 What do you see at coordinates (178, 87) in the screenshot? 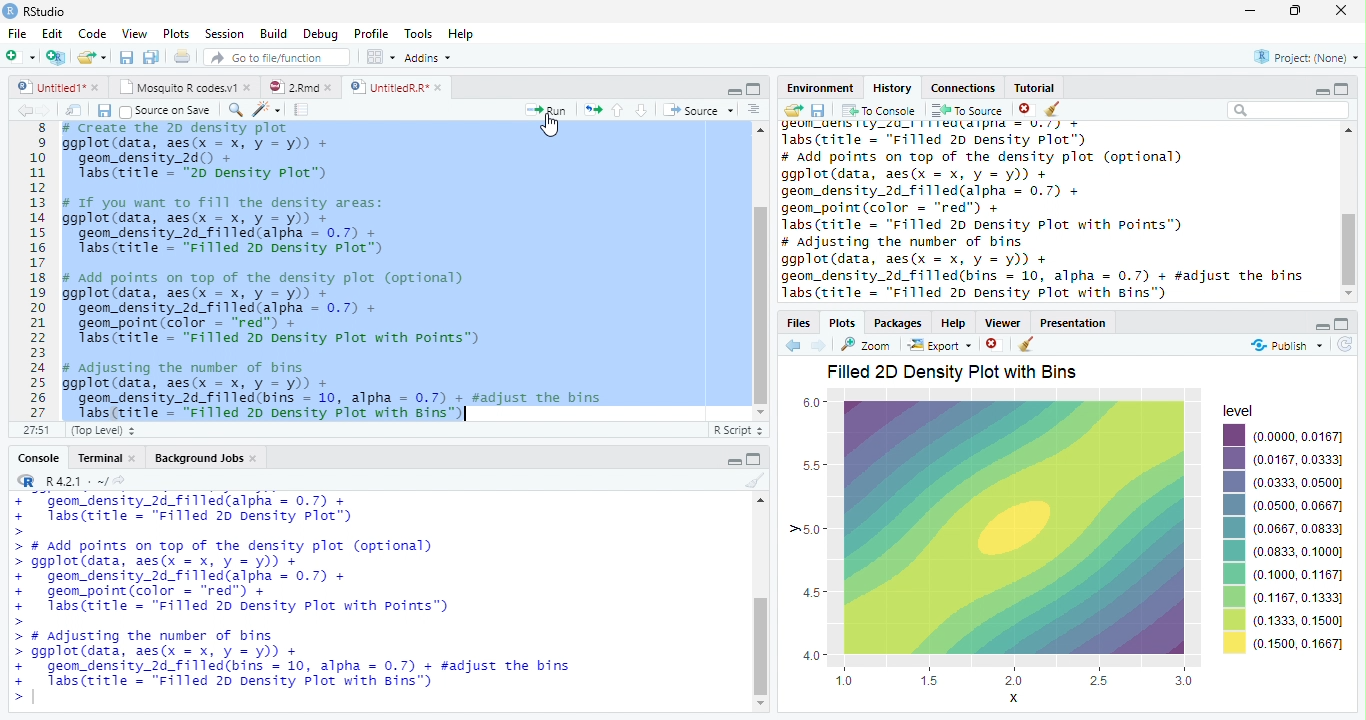
I see `‘Mosquito R codes.v1` at bounding box center [178, 87].